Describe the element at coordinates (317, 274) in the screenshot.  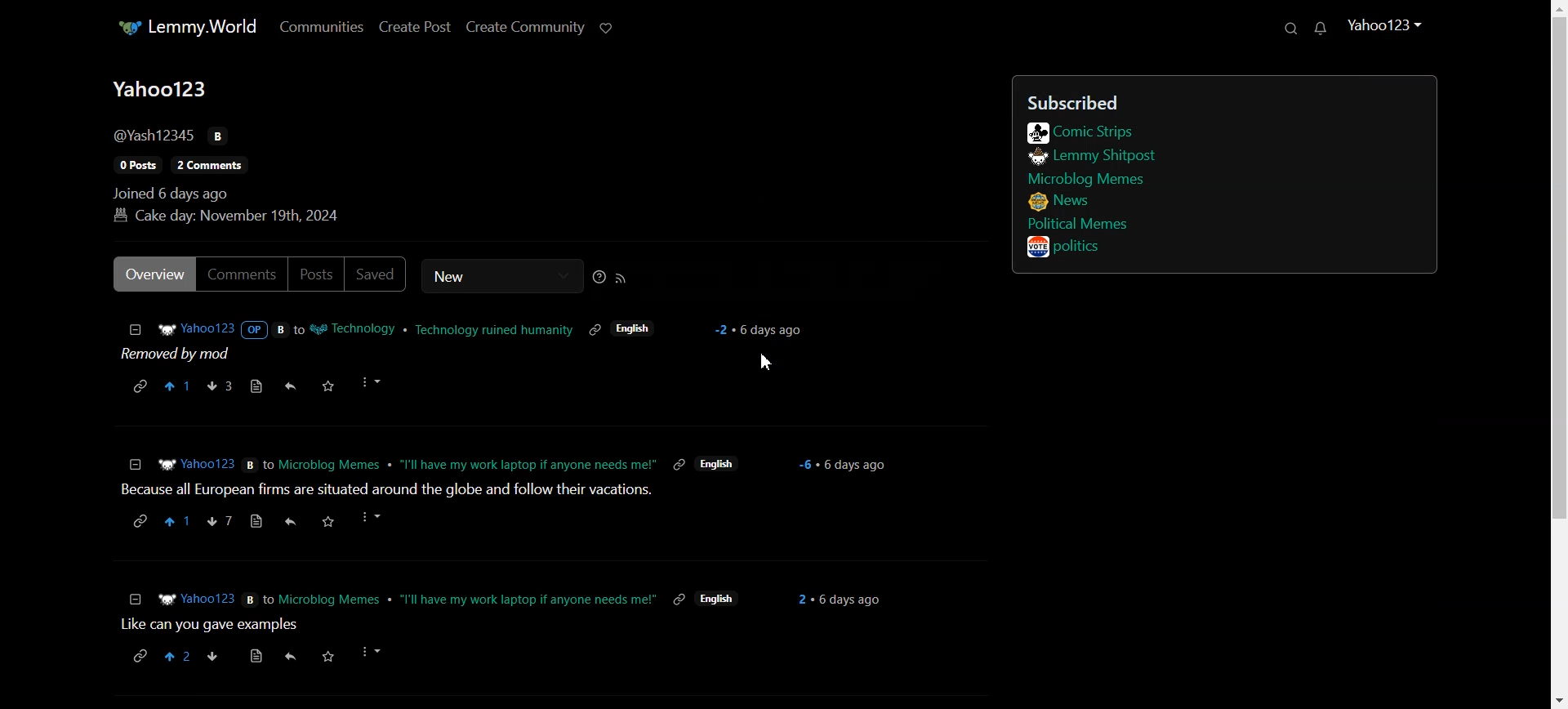
I see `Posts` at that location.